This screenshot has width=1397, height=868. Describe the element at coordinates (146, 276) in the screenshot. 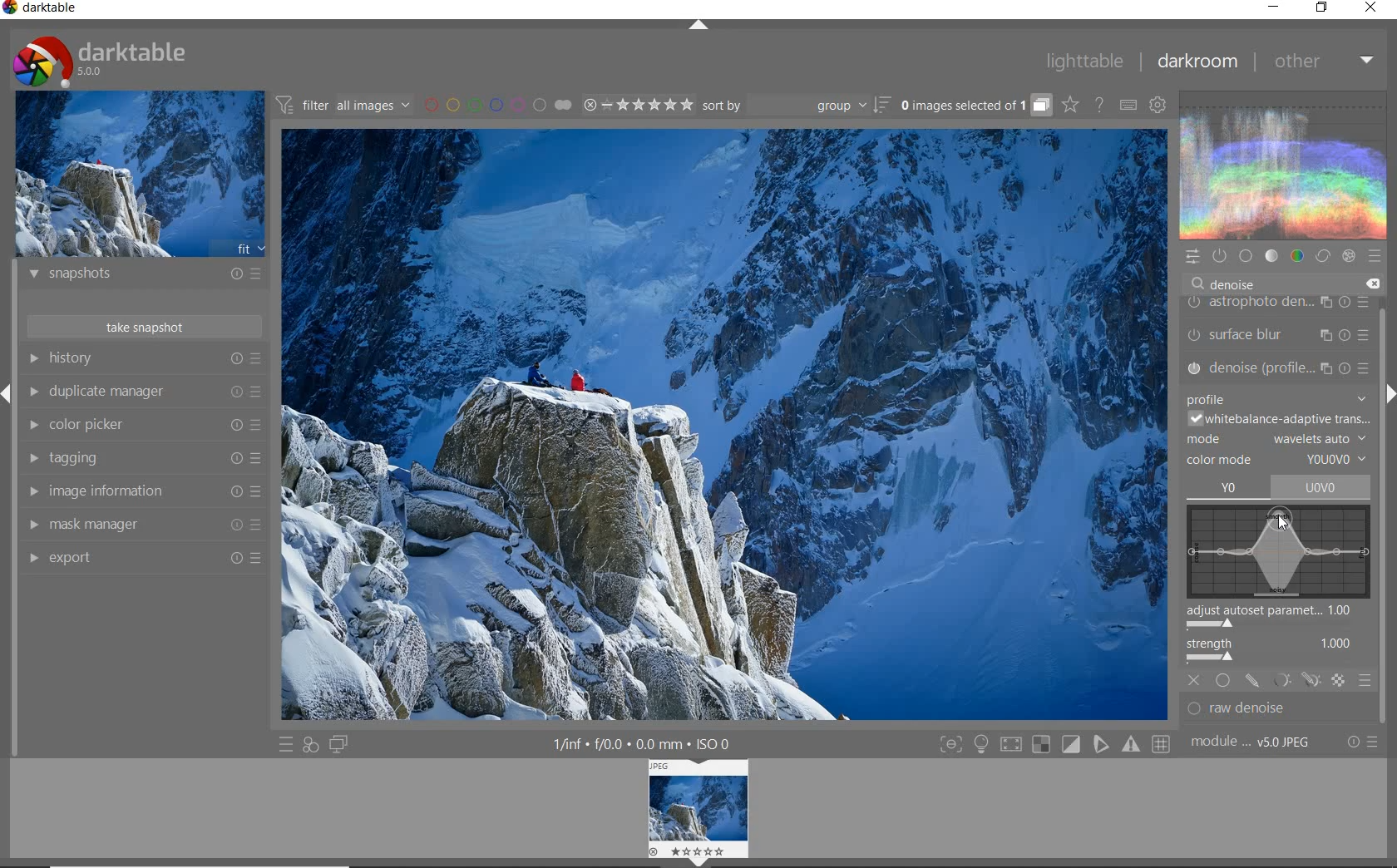

I see `snapshots` at that location.